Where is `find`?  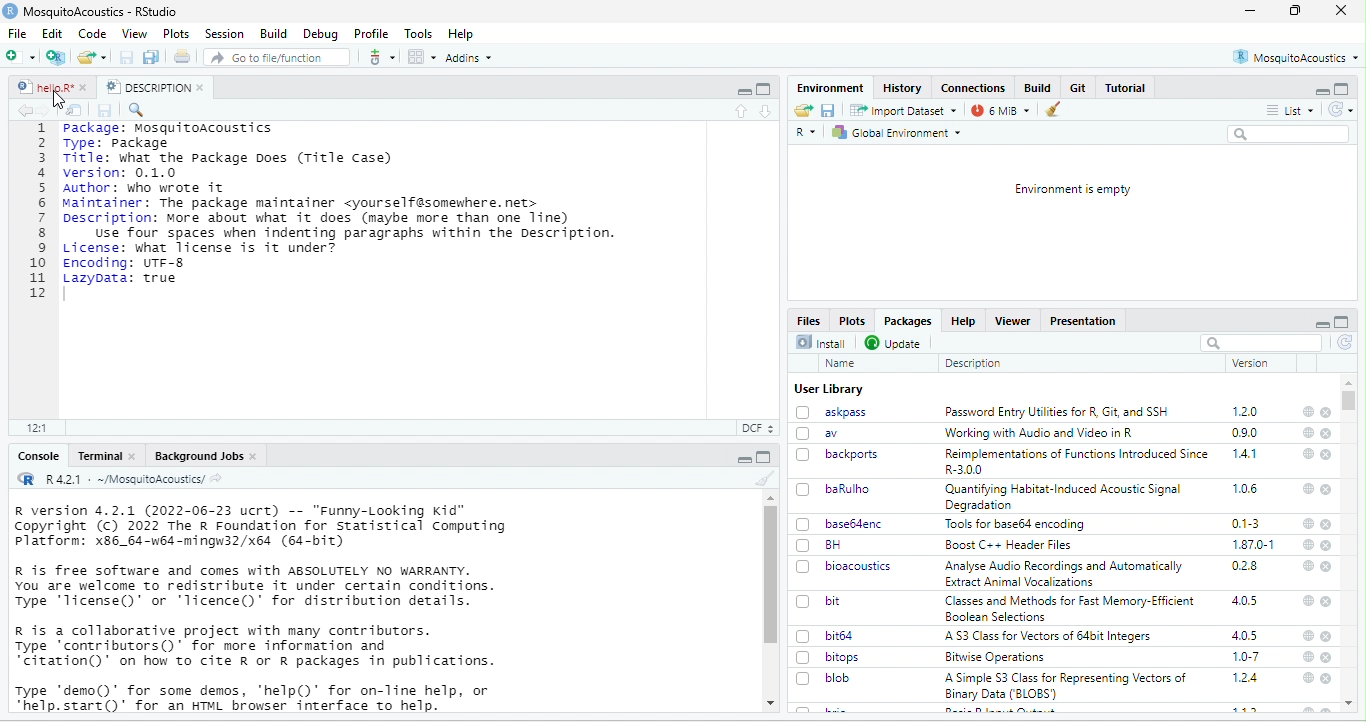
find is located at coordinates (139, 110).